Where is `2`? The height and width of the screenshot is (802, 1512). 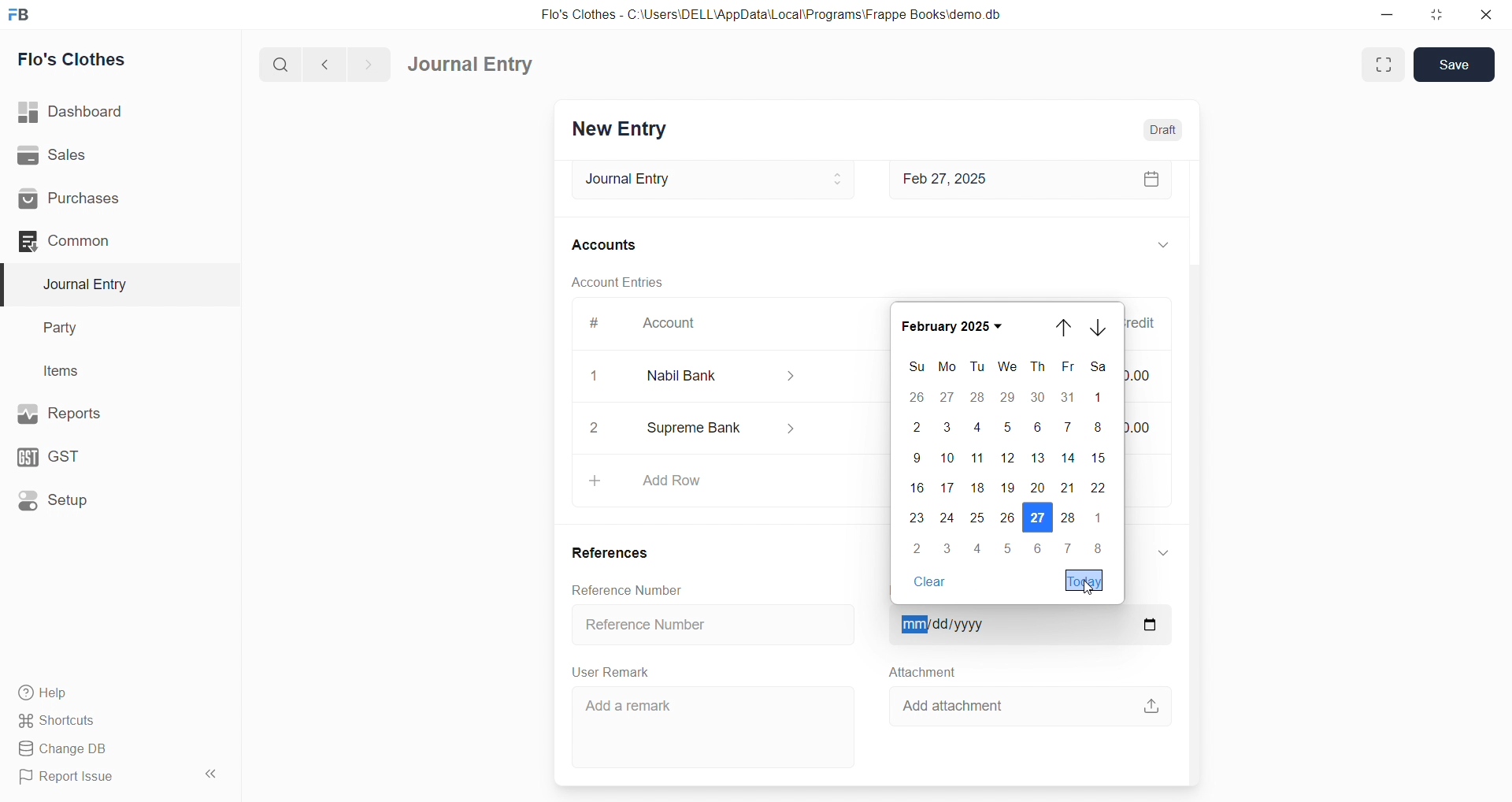
2 is located at coordinates (917, 549).